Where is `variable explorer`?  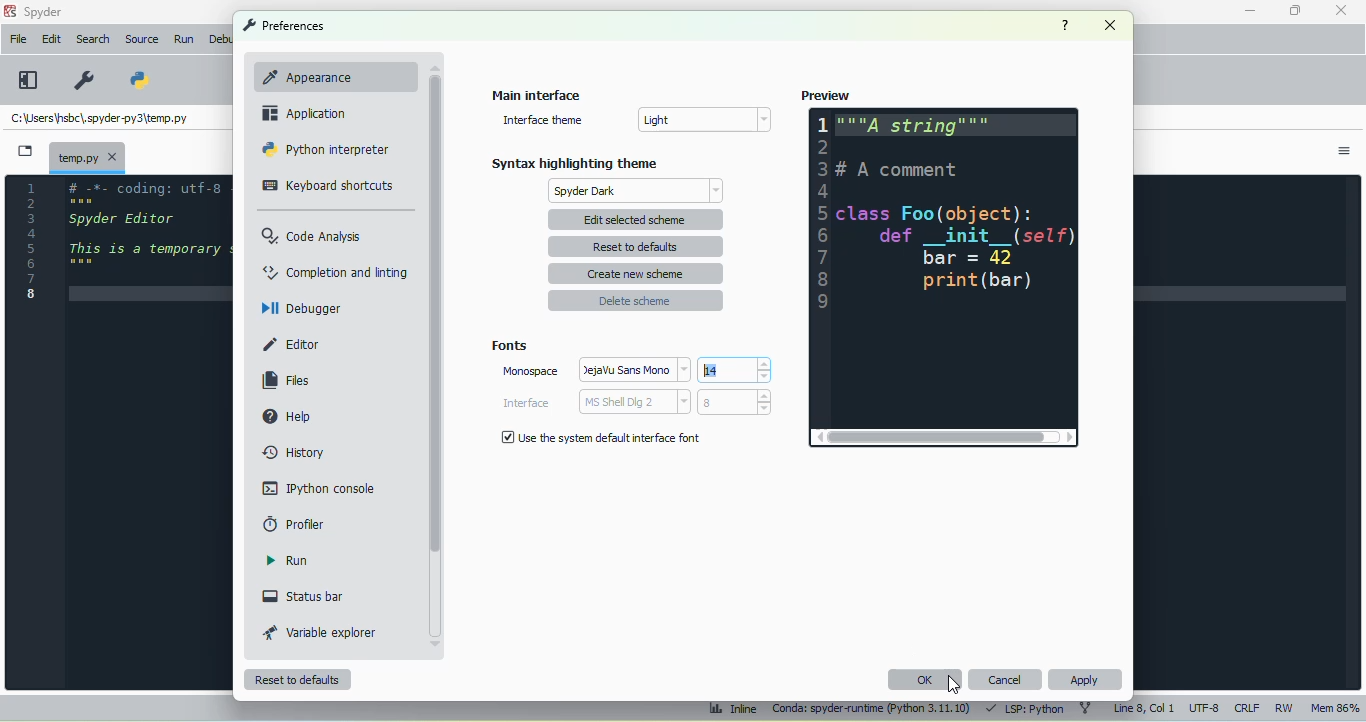 variable explorer is located at coordinates (320, 632).